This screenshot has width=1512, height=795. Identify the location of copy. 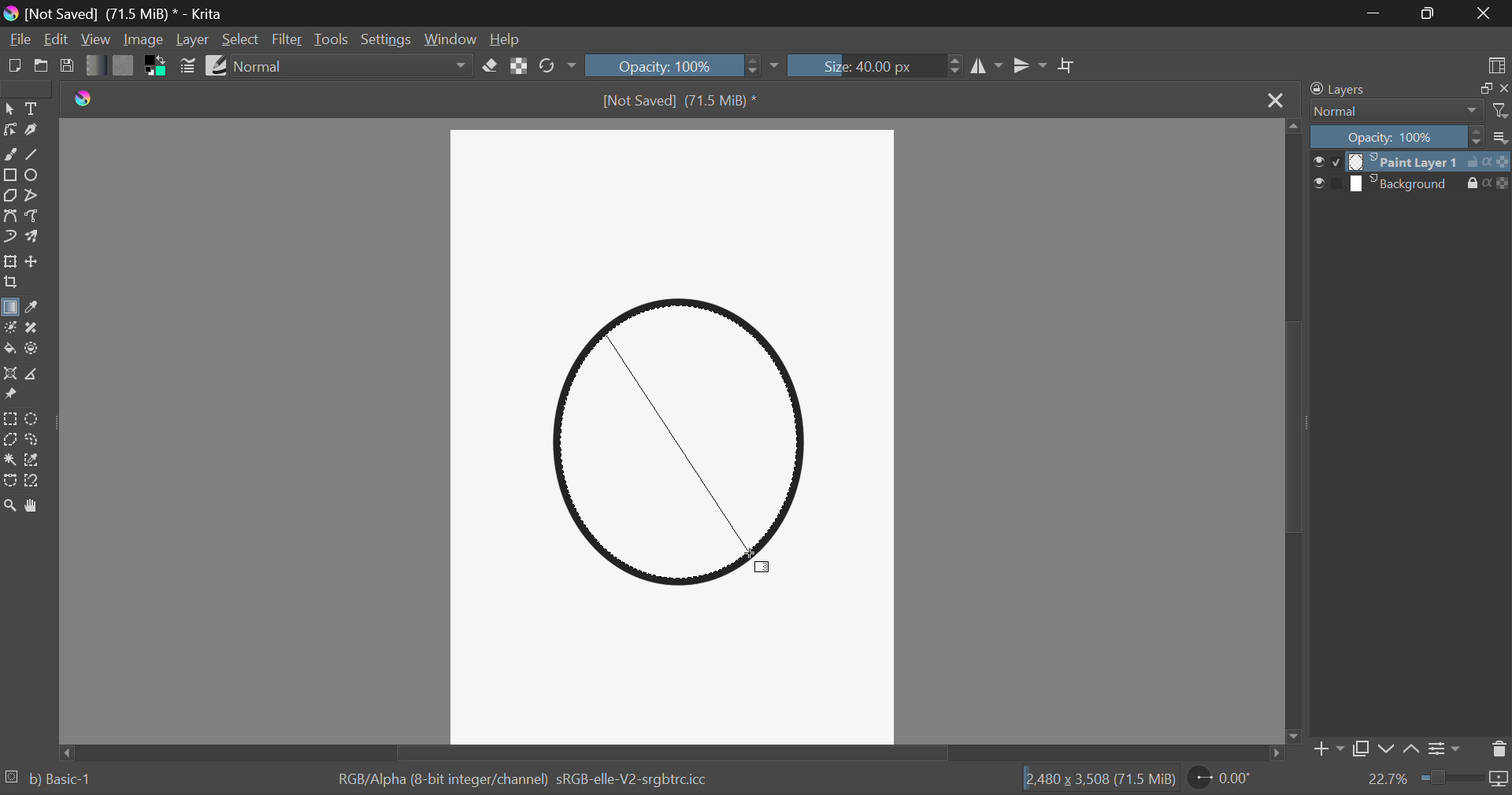
(1485, 87).